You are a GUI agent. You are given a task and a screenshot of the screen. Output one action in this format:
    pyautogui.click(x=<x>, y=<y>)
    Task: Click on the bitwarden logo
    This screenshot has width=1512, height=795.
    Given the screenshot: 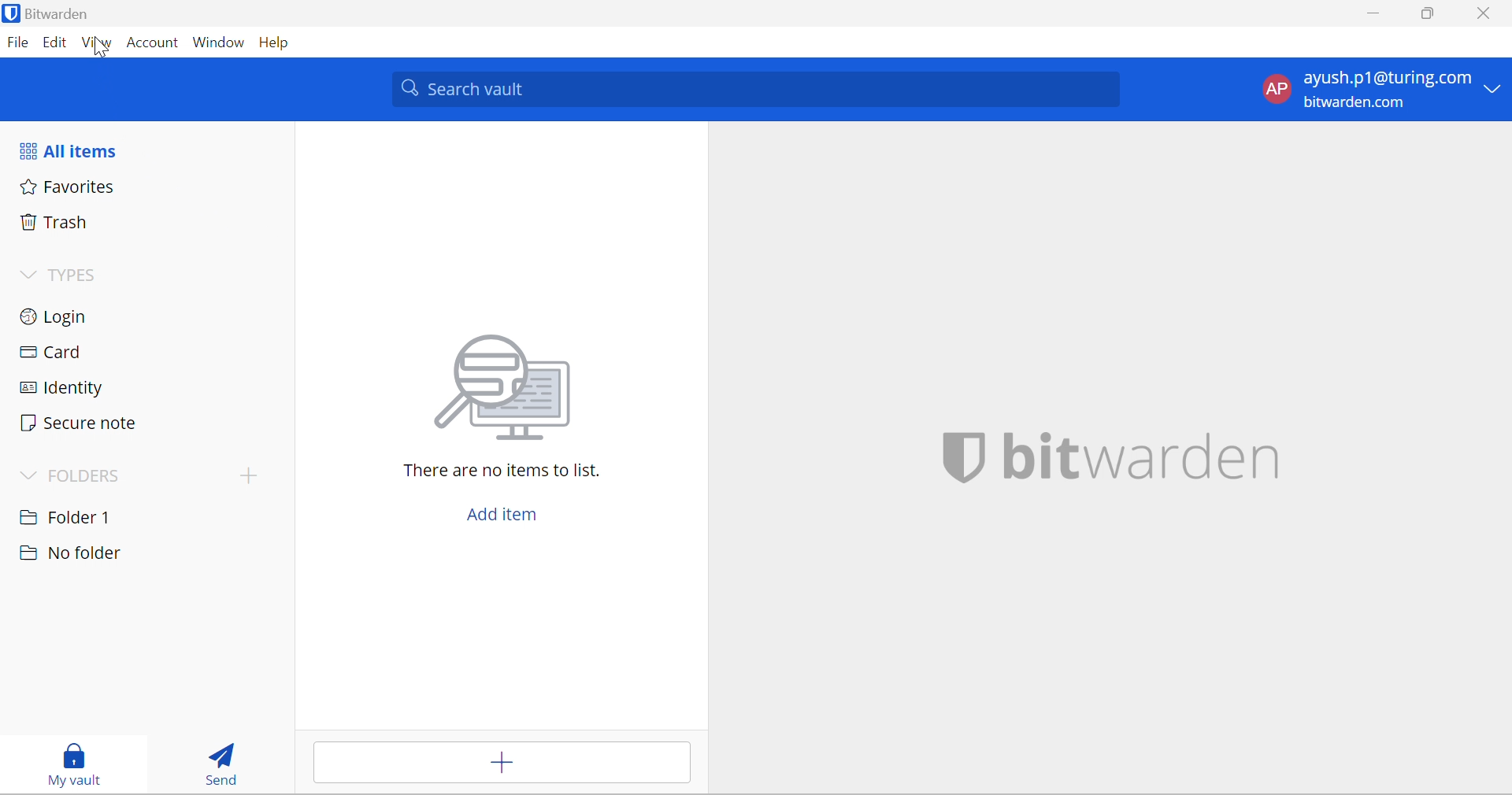 What is the action you would take?
    pyautogui.click(x=956, y=460)
    